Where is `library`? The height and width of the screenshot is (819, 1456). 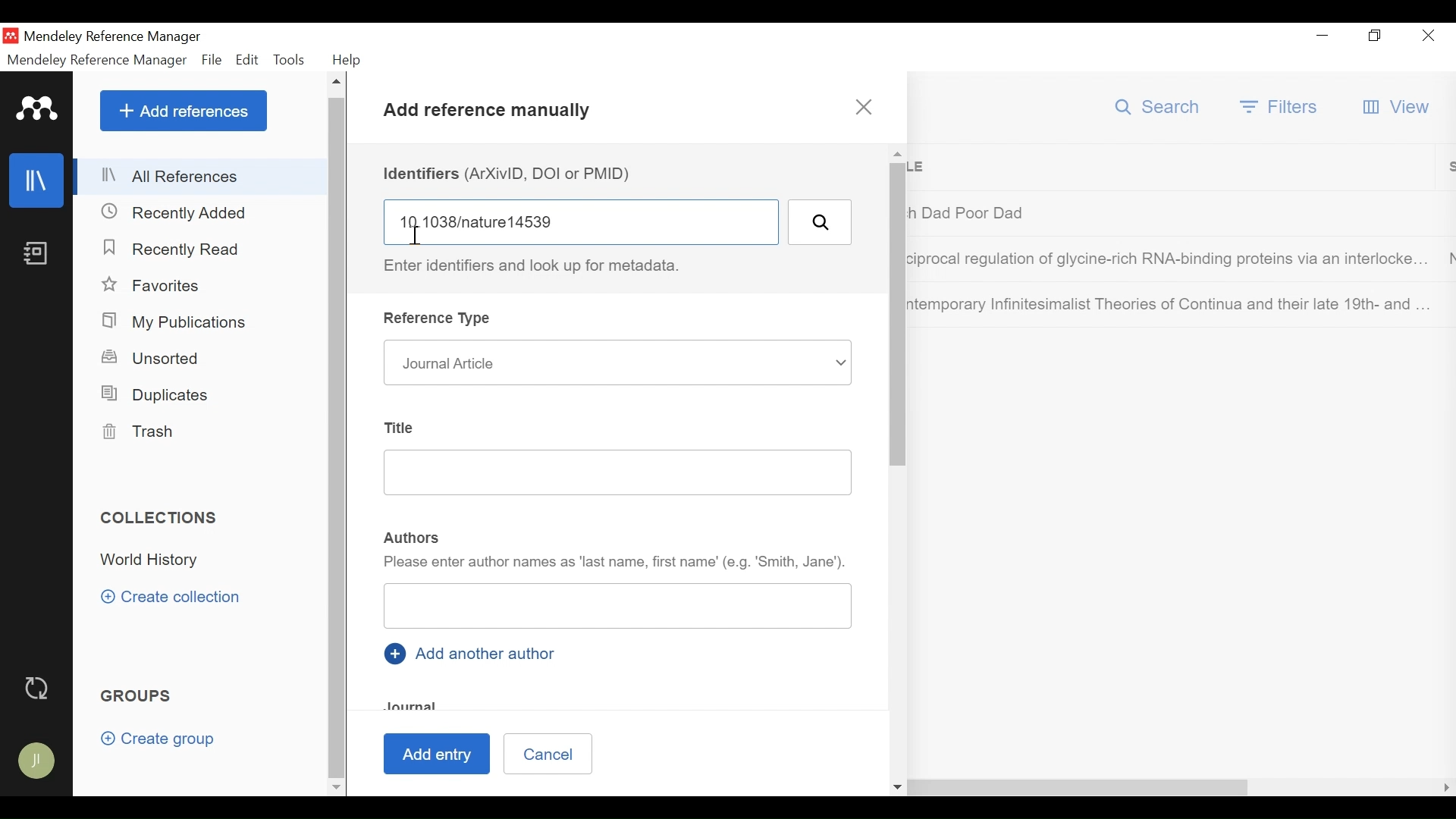 library is located at coordinates (38, 180).